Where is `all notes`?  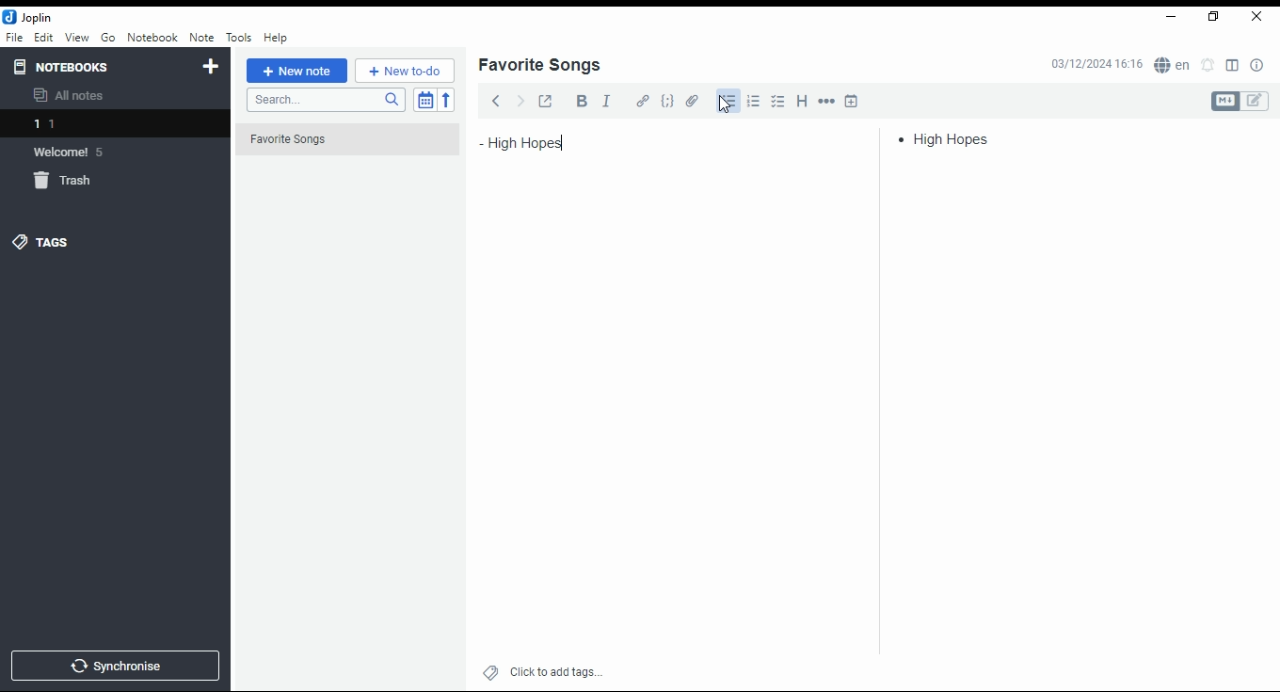
all notes is located at coordinates (74, 96).